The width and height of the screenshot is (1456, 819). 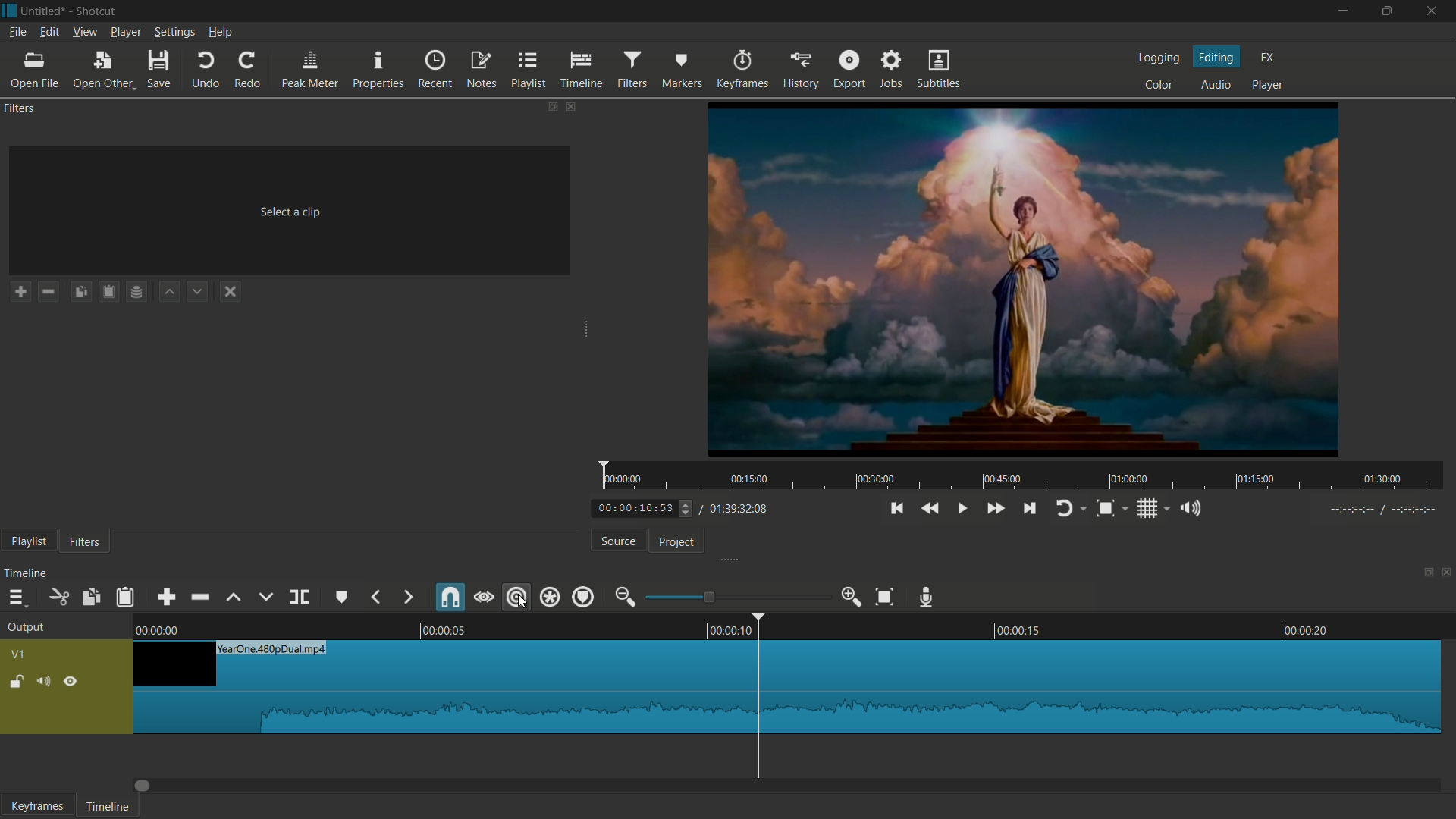 What do you see at coordinates (27, 574) in the screenshot?
I see `timeline` at bounding box center [27, 574].